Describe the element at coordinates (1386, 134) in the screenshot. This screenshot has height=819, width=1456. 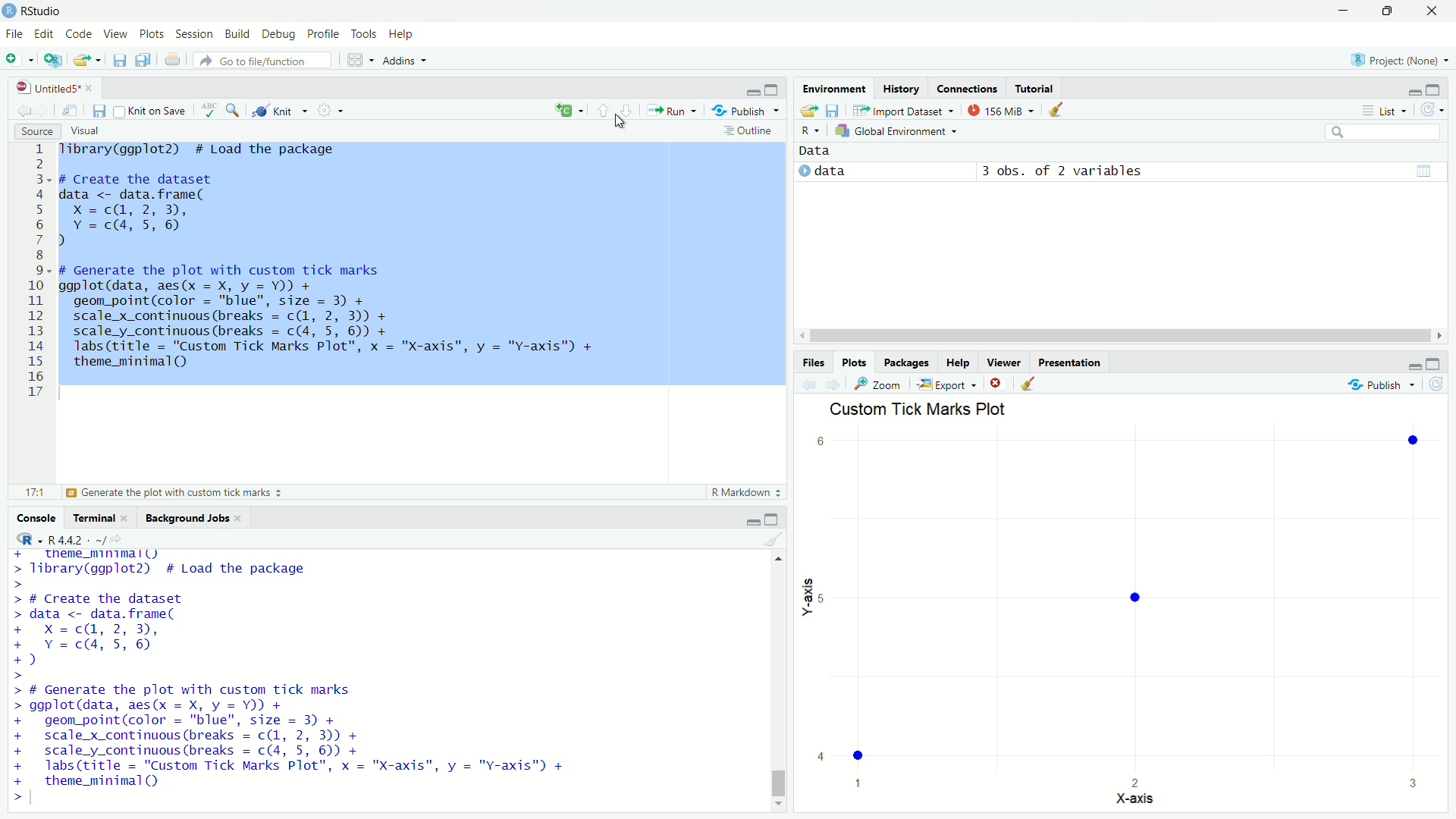
I see `search field` at that location.